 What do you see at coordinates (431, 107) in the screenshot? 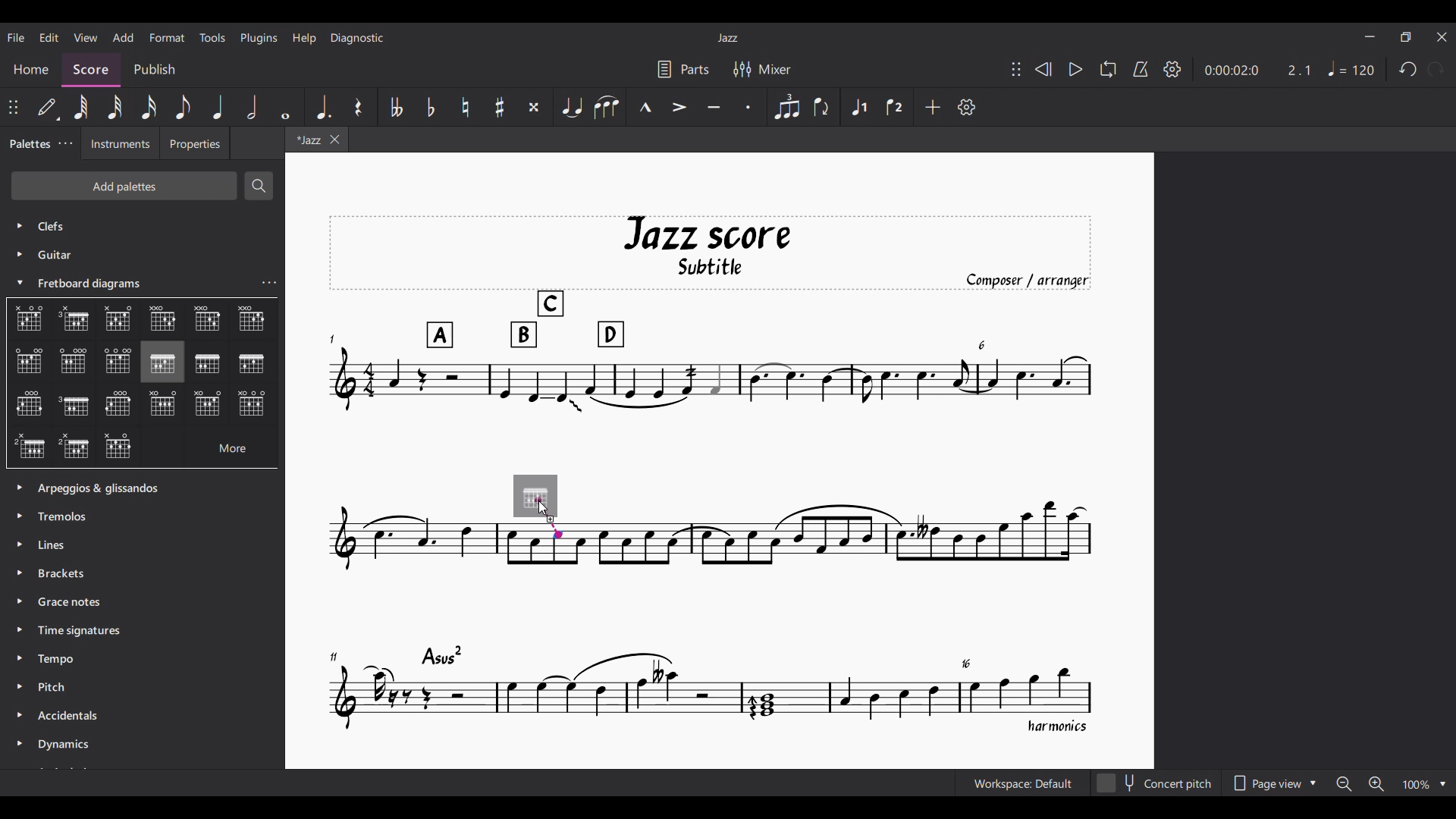
I see `Toggle flat` at bounding box center [431, 107].